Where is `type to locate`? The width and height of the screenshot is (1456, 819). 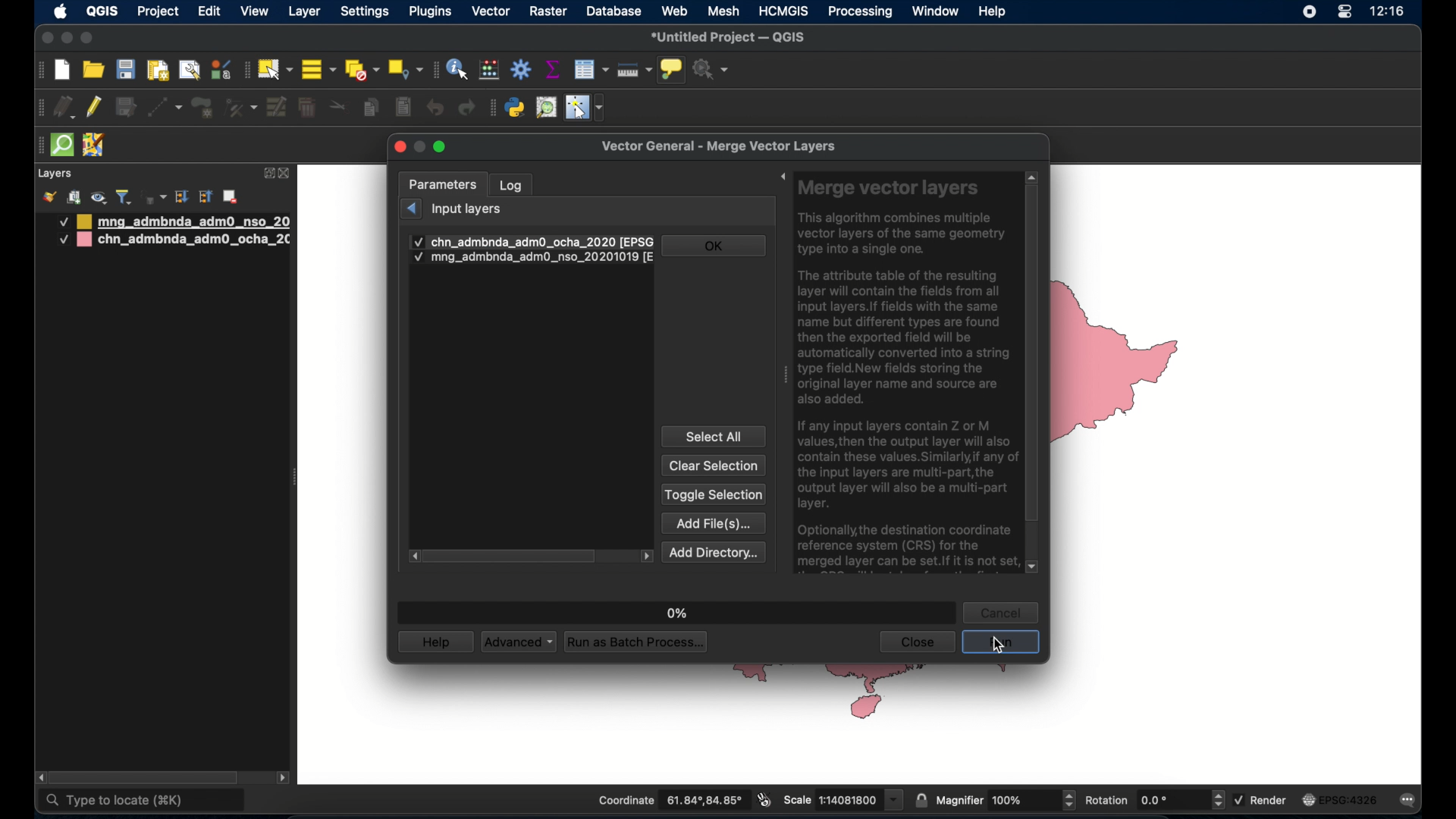 type to locate is located at coordinates (143, 802).